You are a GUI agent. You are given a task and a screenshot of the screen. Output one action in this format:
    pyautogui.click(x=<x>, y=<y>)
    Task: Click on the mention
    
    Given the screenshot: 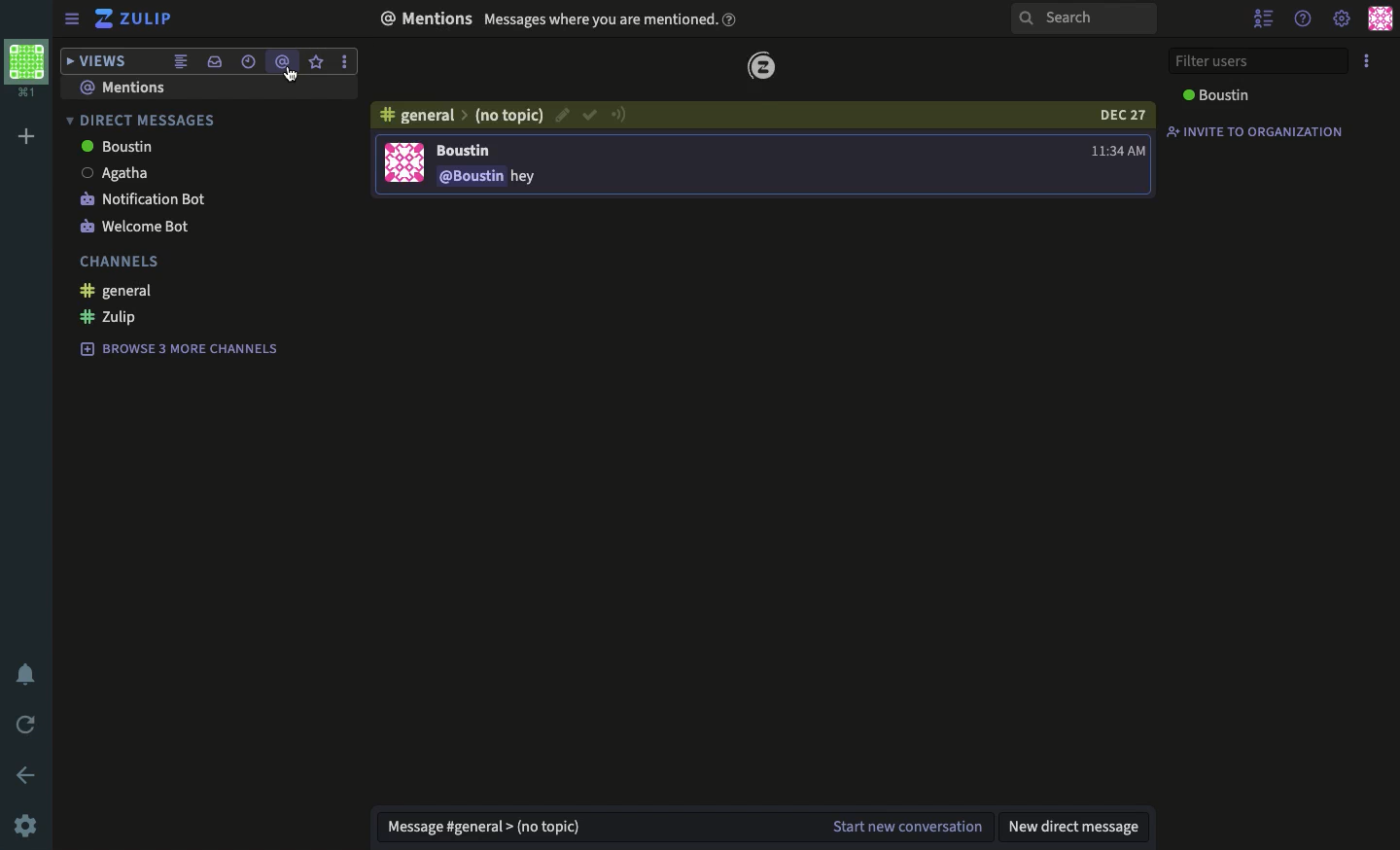 What is the action you would take?
    pyautogui.click(x=284, y=62)
    